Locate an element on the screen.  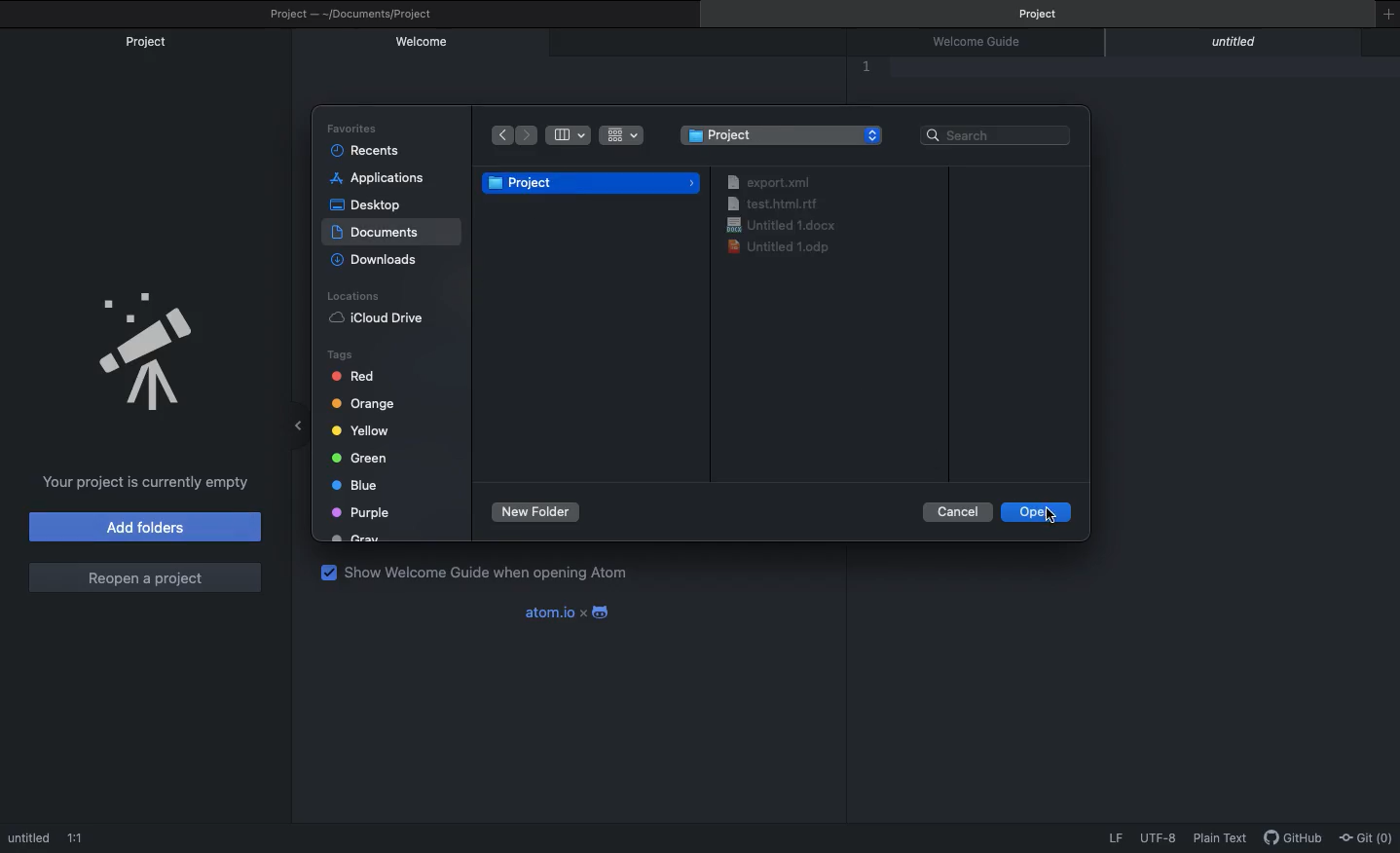
test.html.rtf is located at coordinates (777, 204).